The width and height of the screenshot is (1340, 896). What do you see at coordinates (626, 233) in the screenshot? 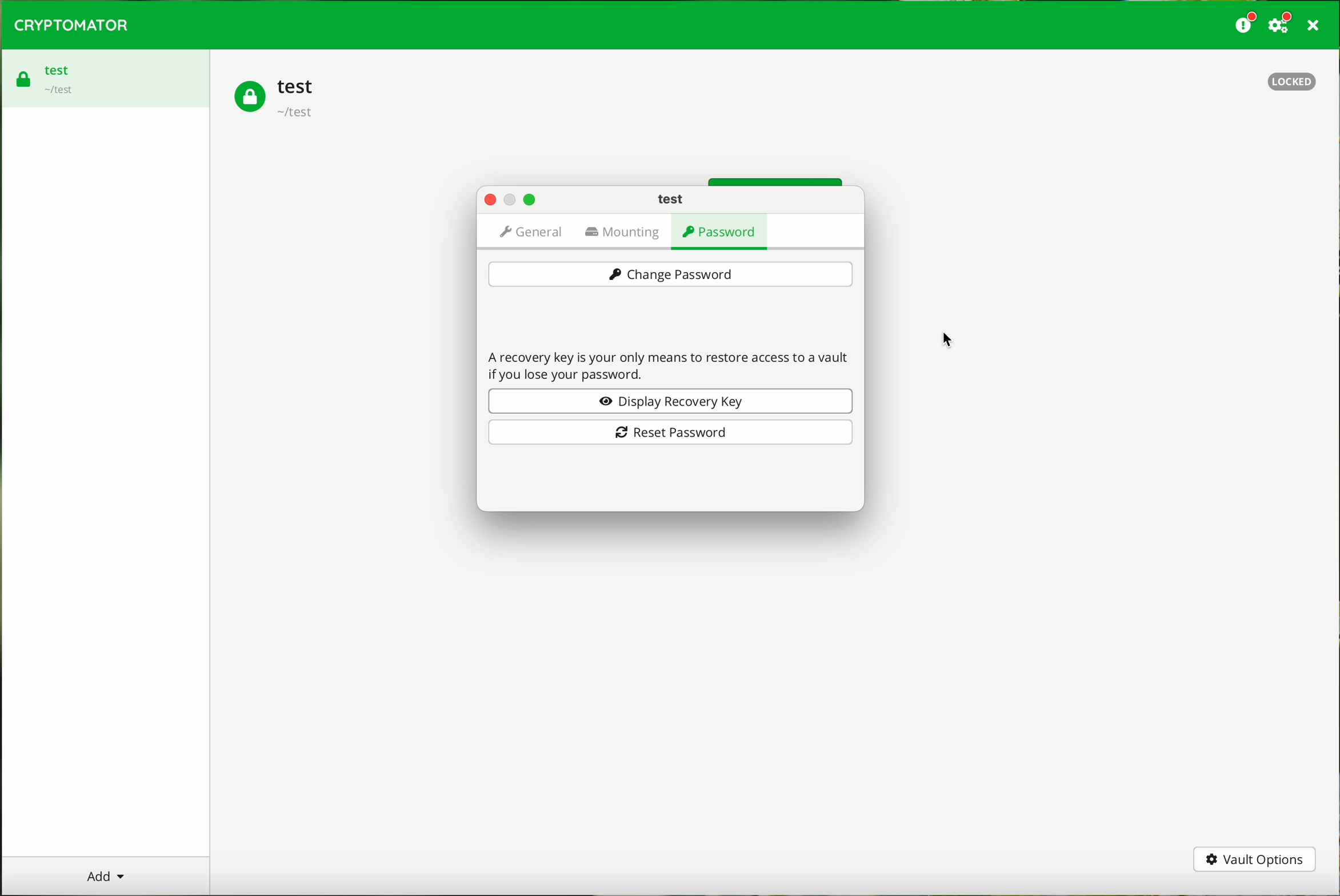
I see `mounting` at bounding box center [626, 233].